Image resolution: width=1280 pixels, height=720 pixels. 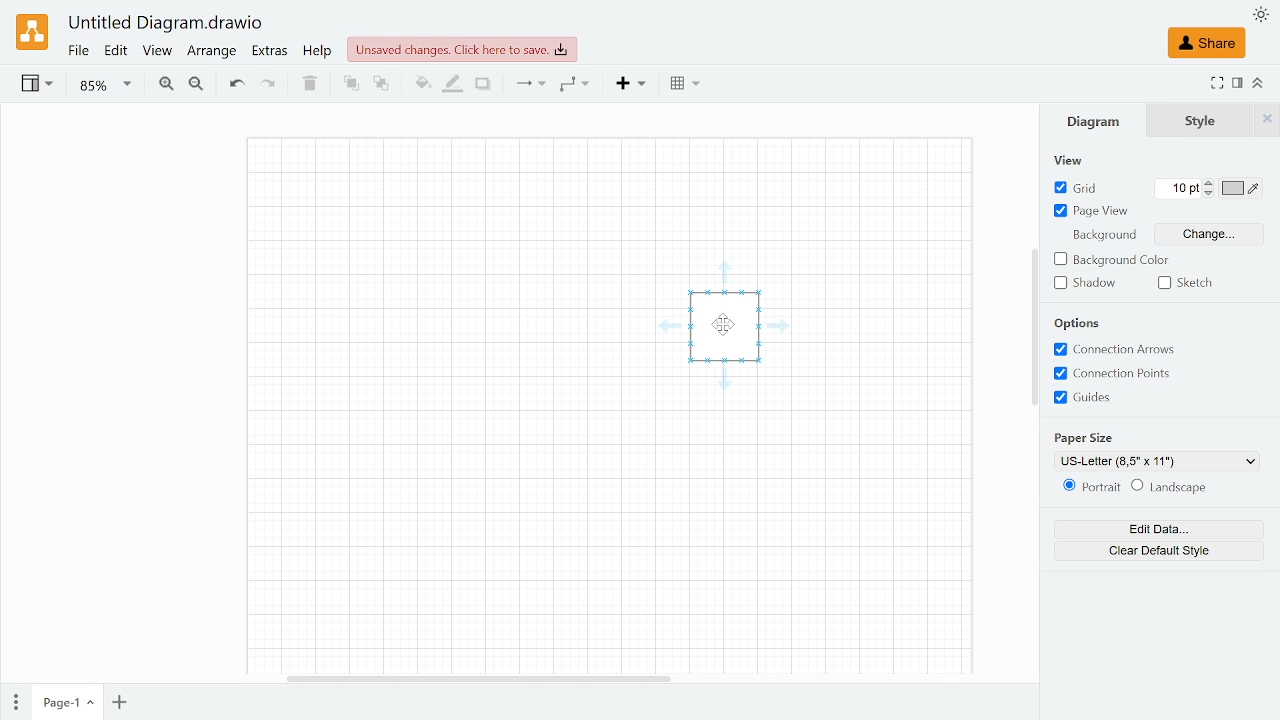 I want to click on View settings, so click(x=35, y=85).